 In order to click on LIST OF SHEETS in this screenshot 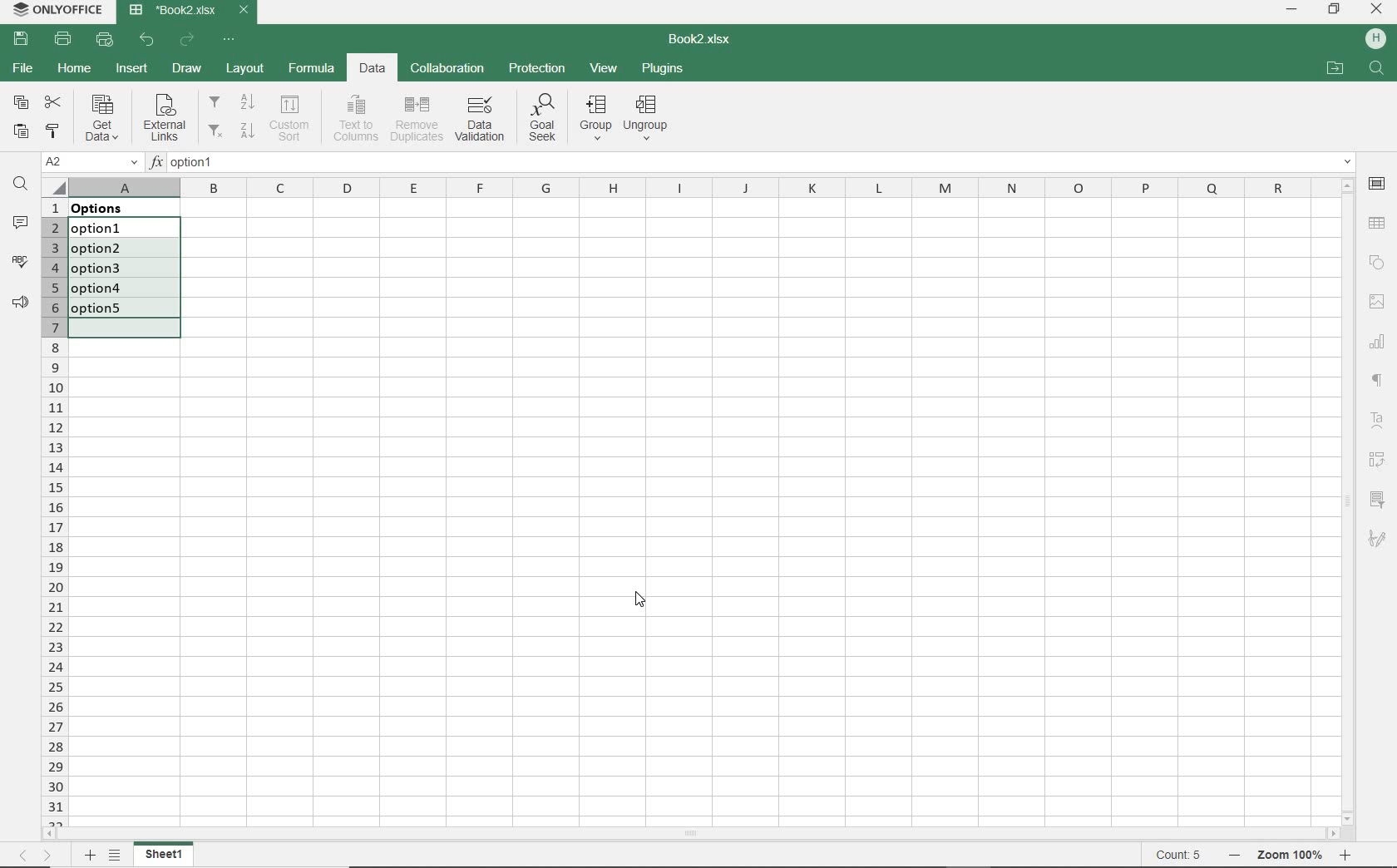, I will do `click(114, 856)`.